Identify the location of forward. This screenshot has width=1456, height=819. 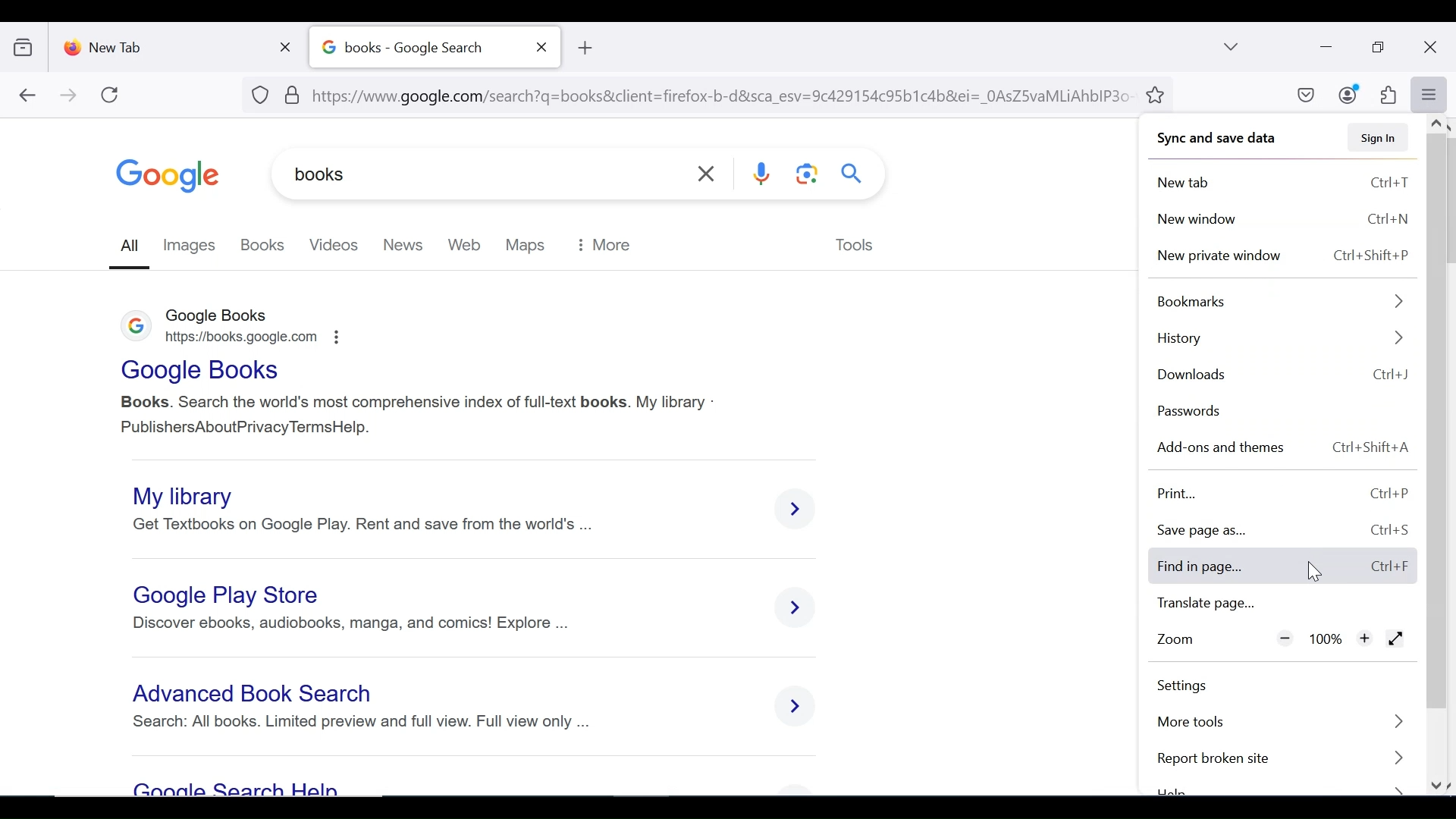
(69, 96).